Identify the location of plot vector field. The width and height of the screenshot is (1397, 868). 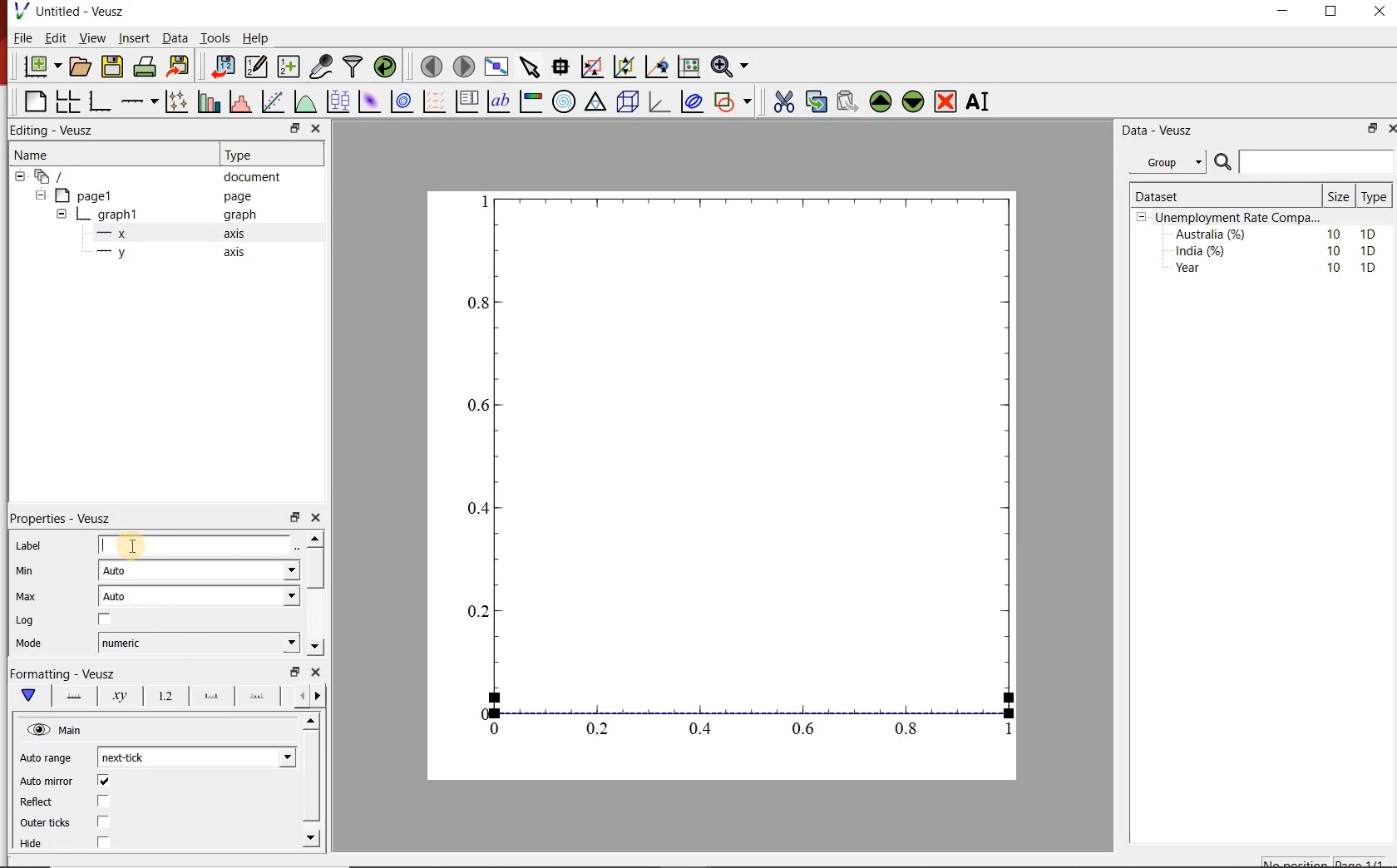
(433, 101).